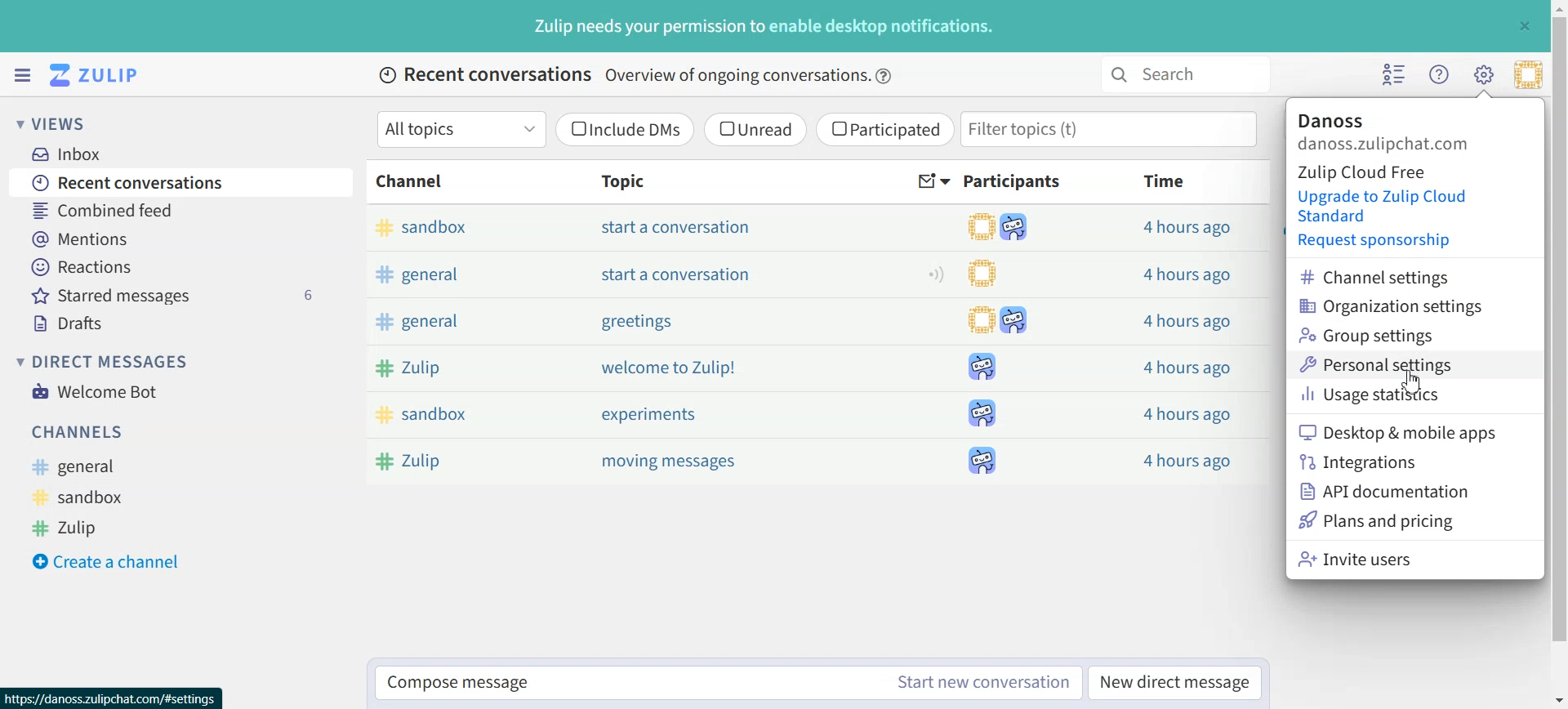 The width and height of the screenshot is (1568, 709). Describe the element at coordinates (1393, 305) in the screenshot. I see `Organization settings` at that location.